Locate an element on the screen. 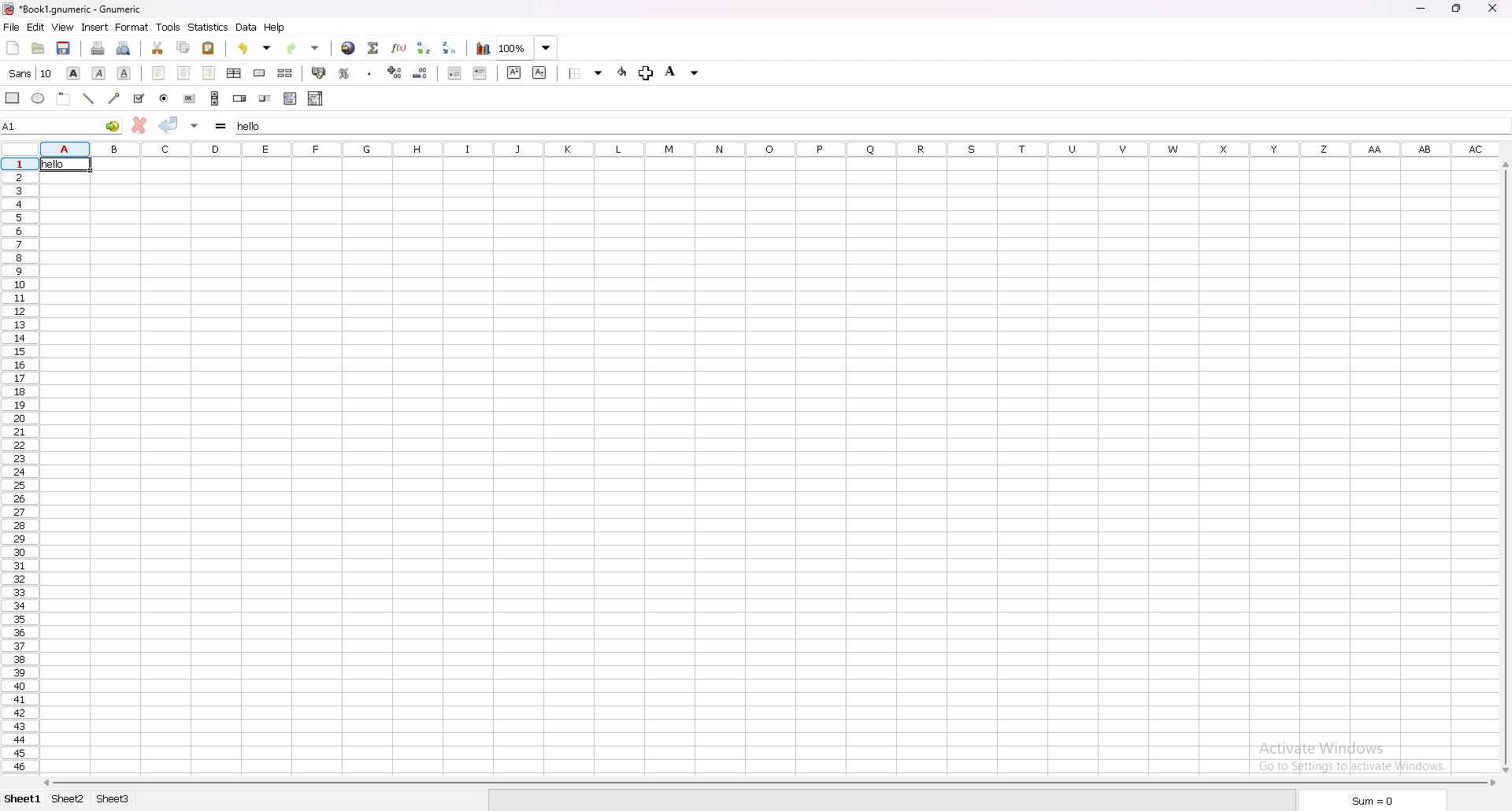 The image size is (1512, 811). checkbox is located at coordinates (139, 98).